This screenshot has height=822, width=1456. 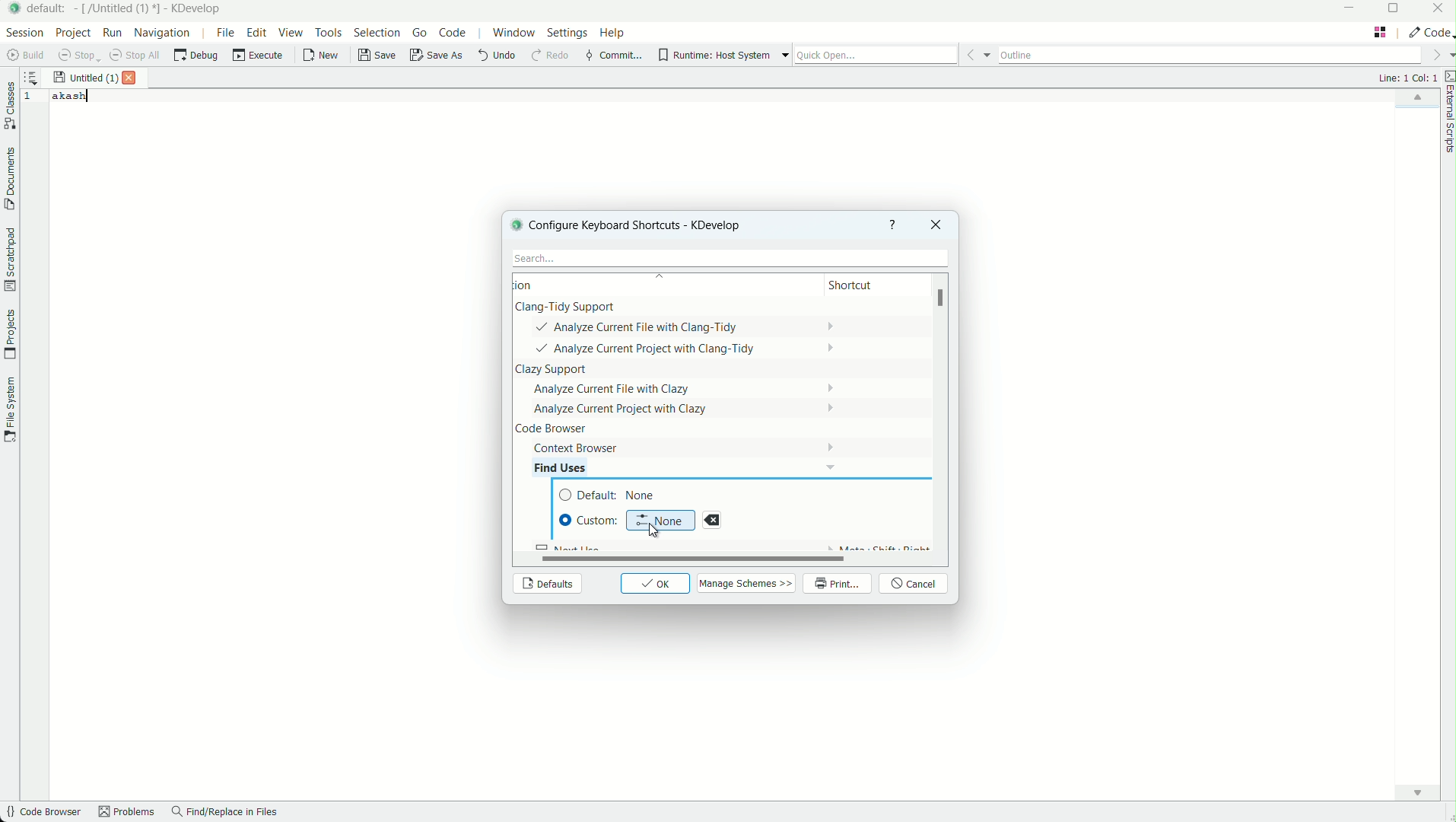 I want to click on classes, so click(x=10, y=107).